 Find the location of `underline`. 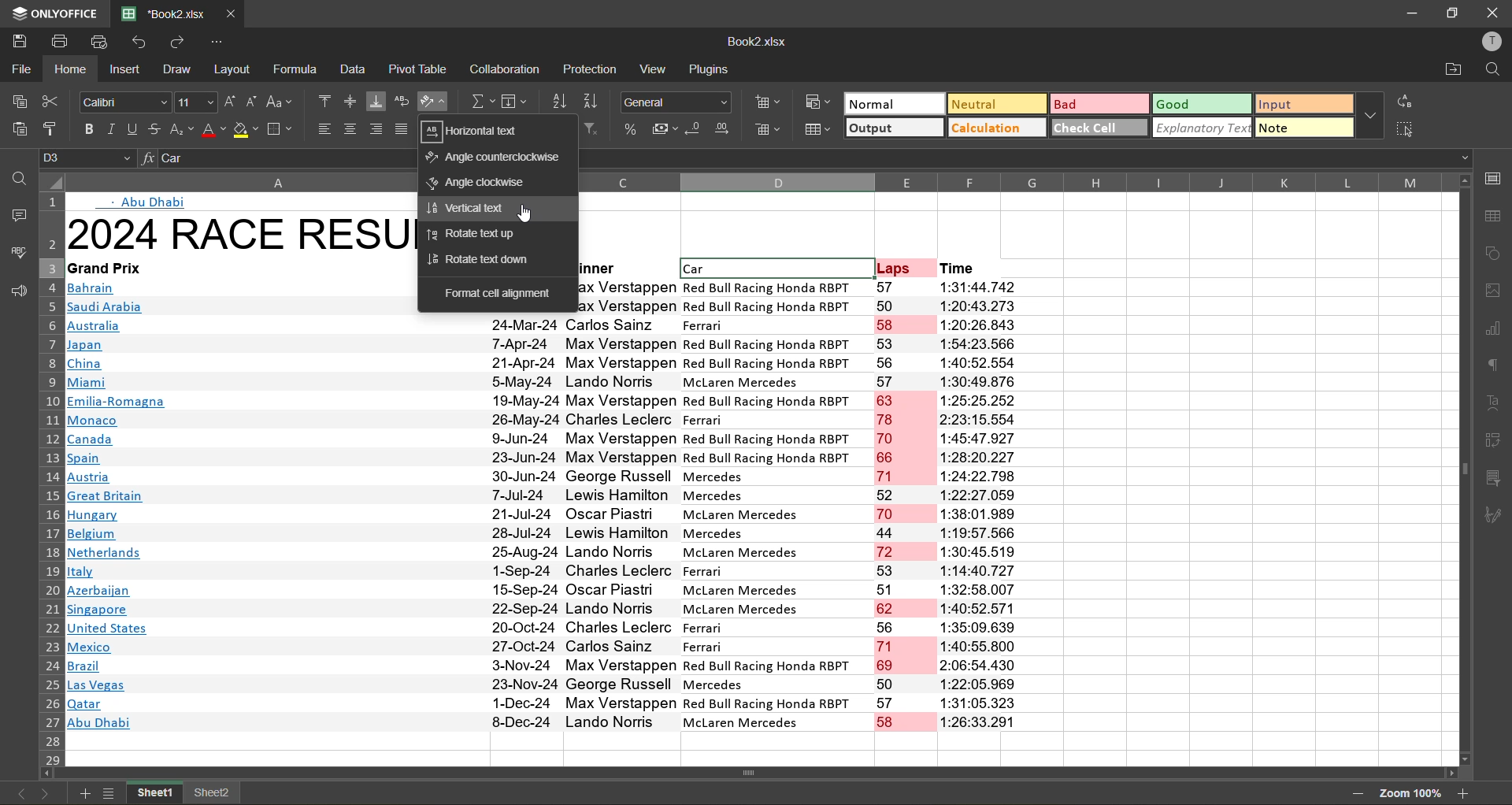

underline is located at coordinates (136, 129).